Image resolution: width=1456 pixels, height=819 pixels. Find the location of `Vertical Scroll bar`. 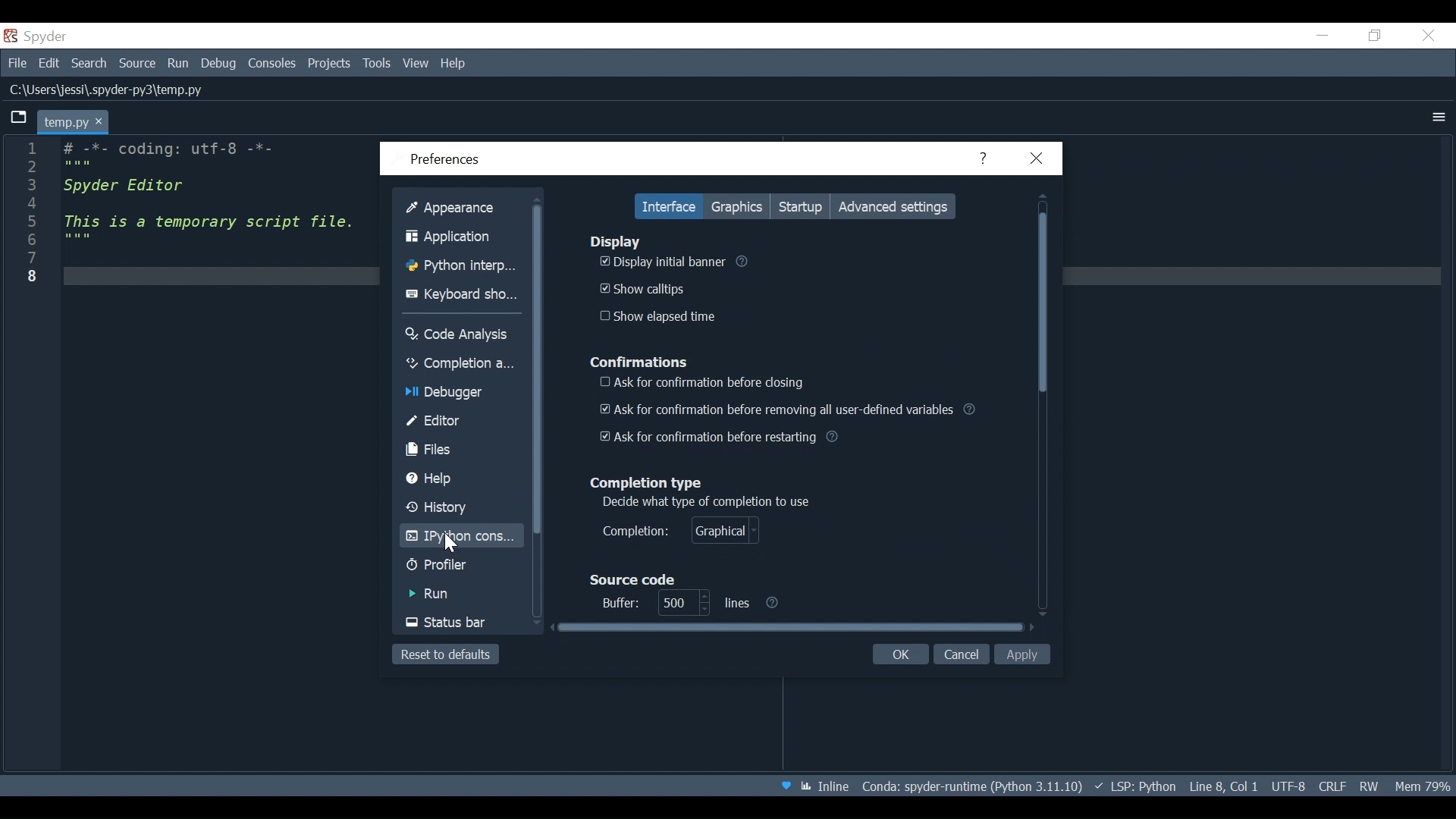

Vertical Scroll bar is located at coordinates (536, 366).